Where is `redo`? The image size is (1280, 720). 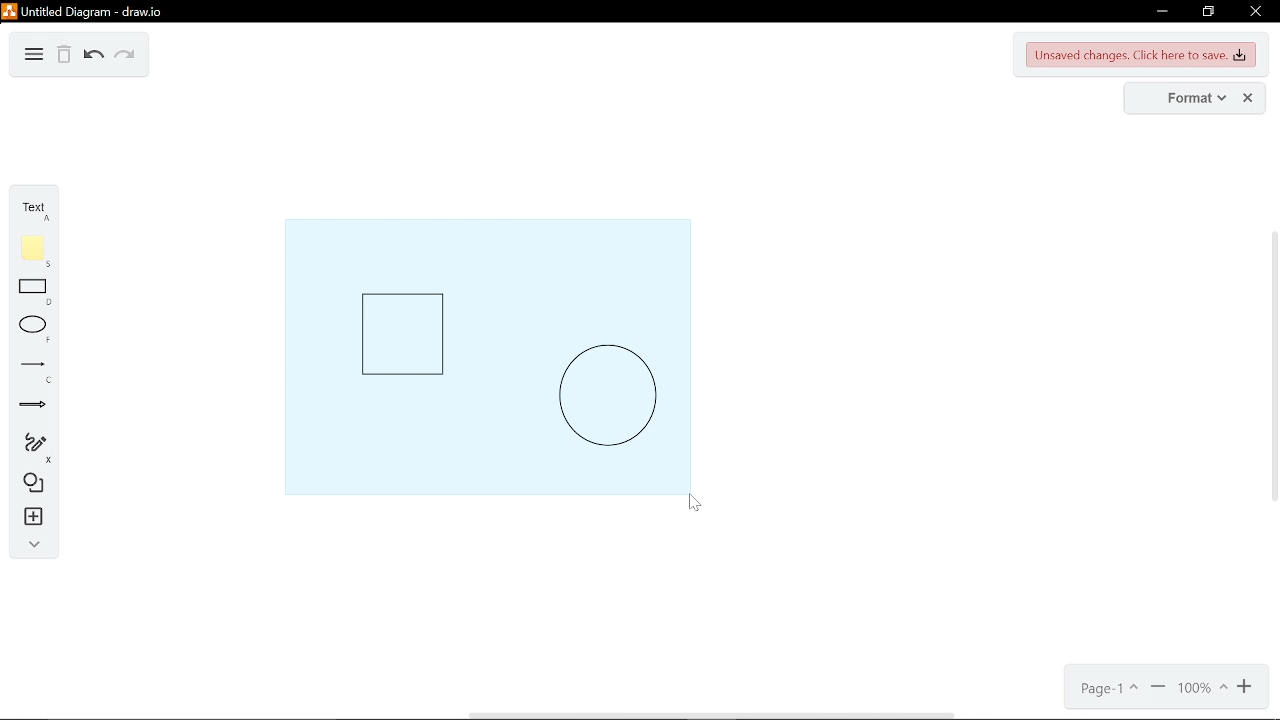 redo is located at coordinates (126, 55).